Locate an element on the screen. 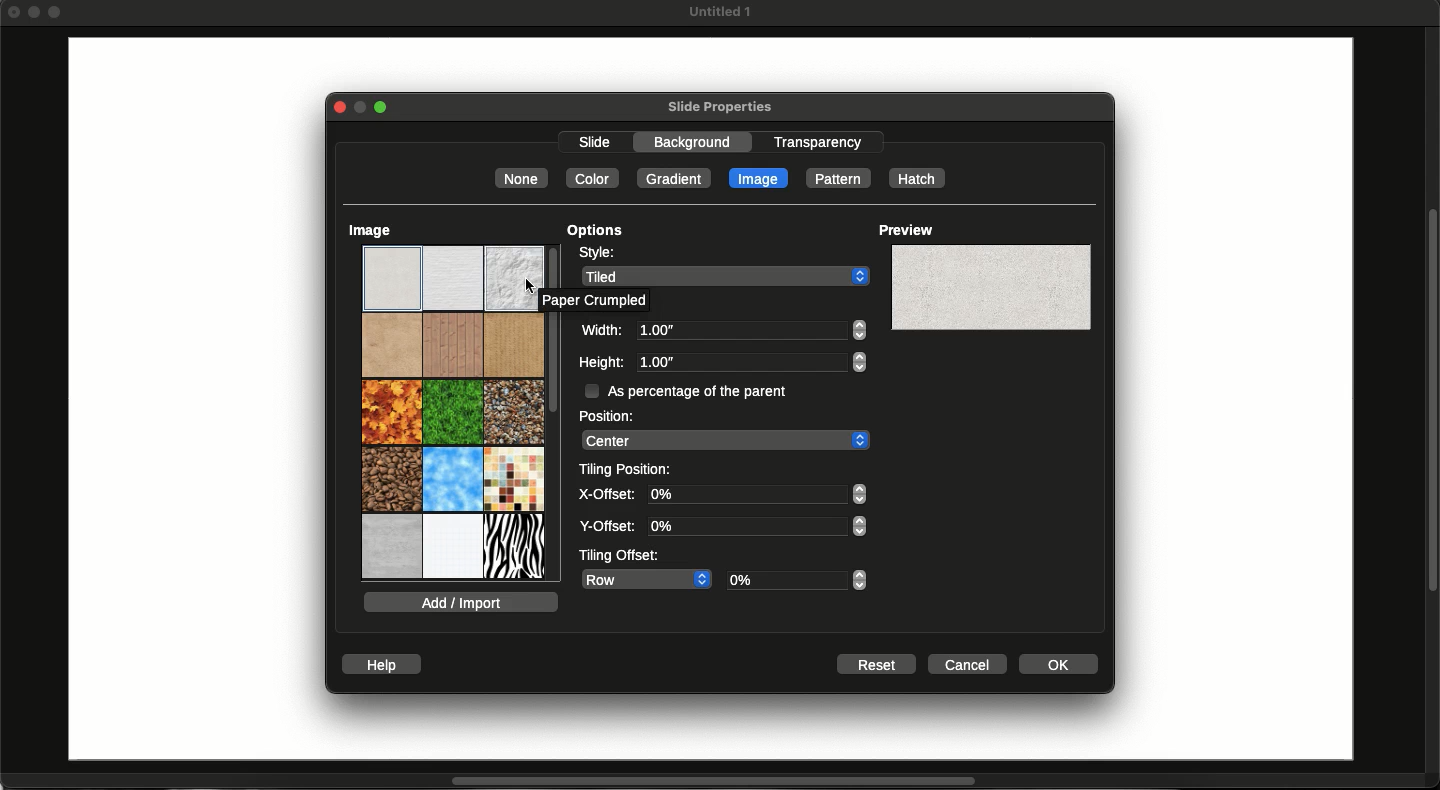 This screenshot has height=790, width=1440. Options is located at coordinates (596, 231).